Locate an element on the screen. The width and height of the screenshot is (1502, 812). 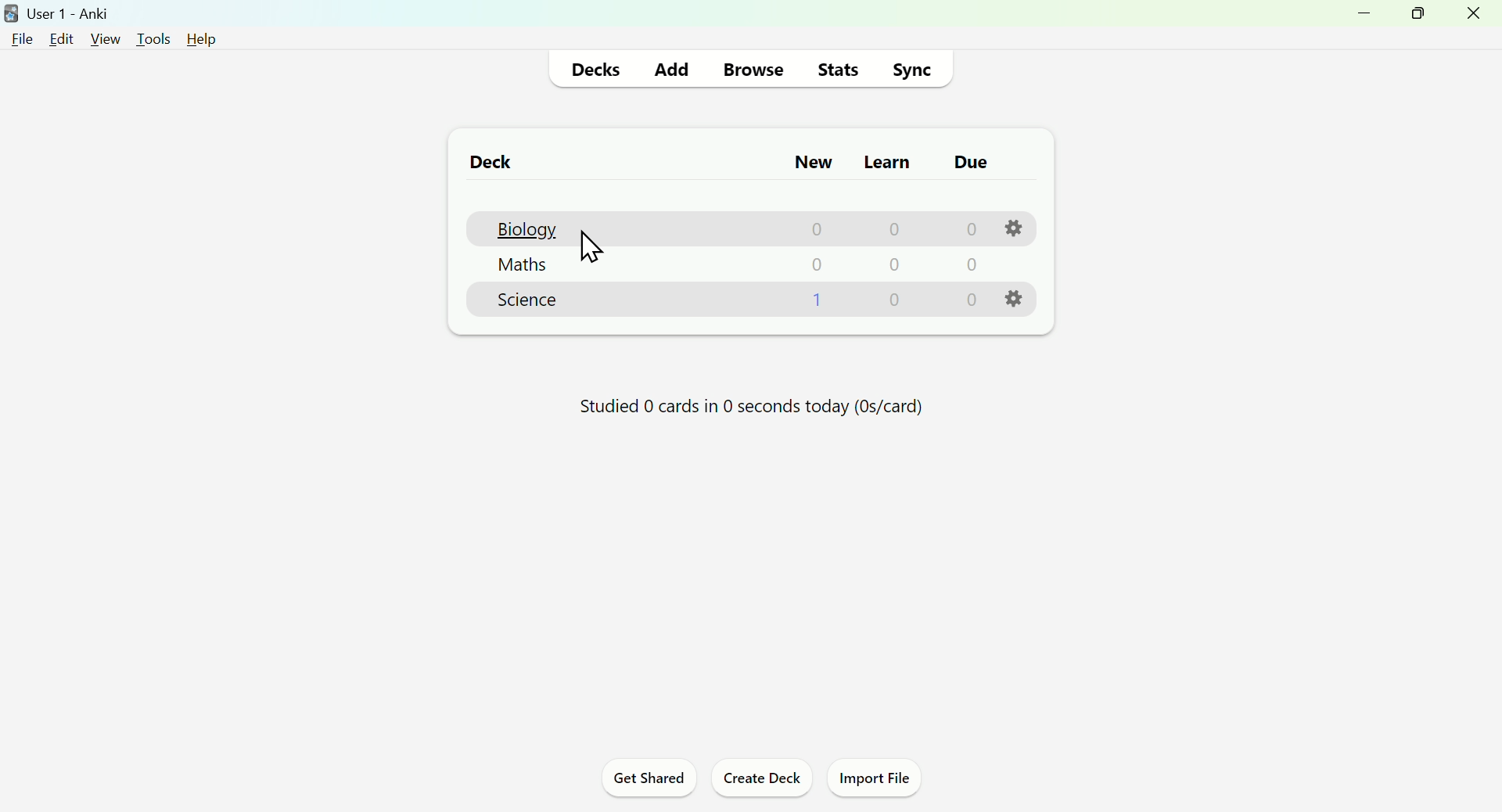
Import File is located at coordinates (873, 780).